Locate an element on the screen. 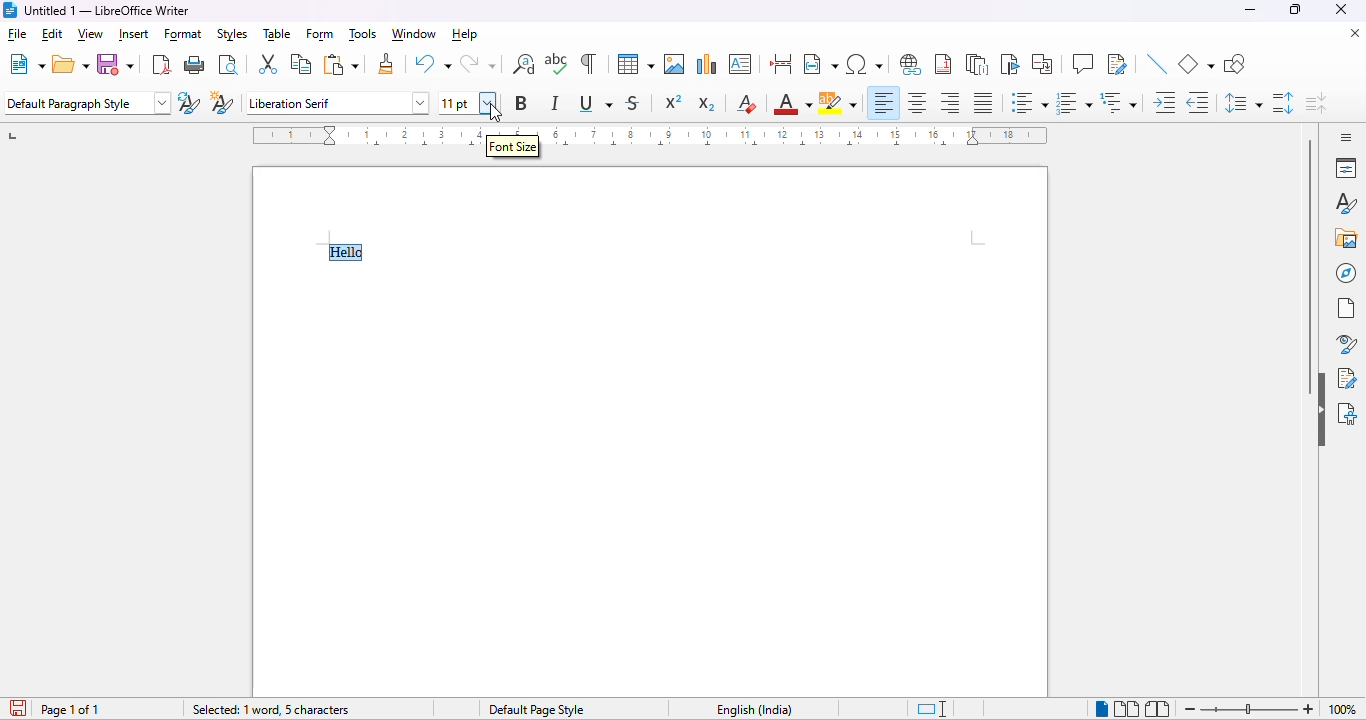  zoom out is located at coordinates (1188, 710).